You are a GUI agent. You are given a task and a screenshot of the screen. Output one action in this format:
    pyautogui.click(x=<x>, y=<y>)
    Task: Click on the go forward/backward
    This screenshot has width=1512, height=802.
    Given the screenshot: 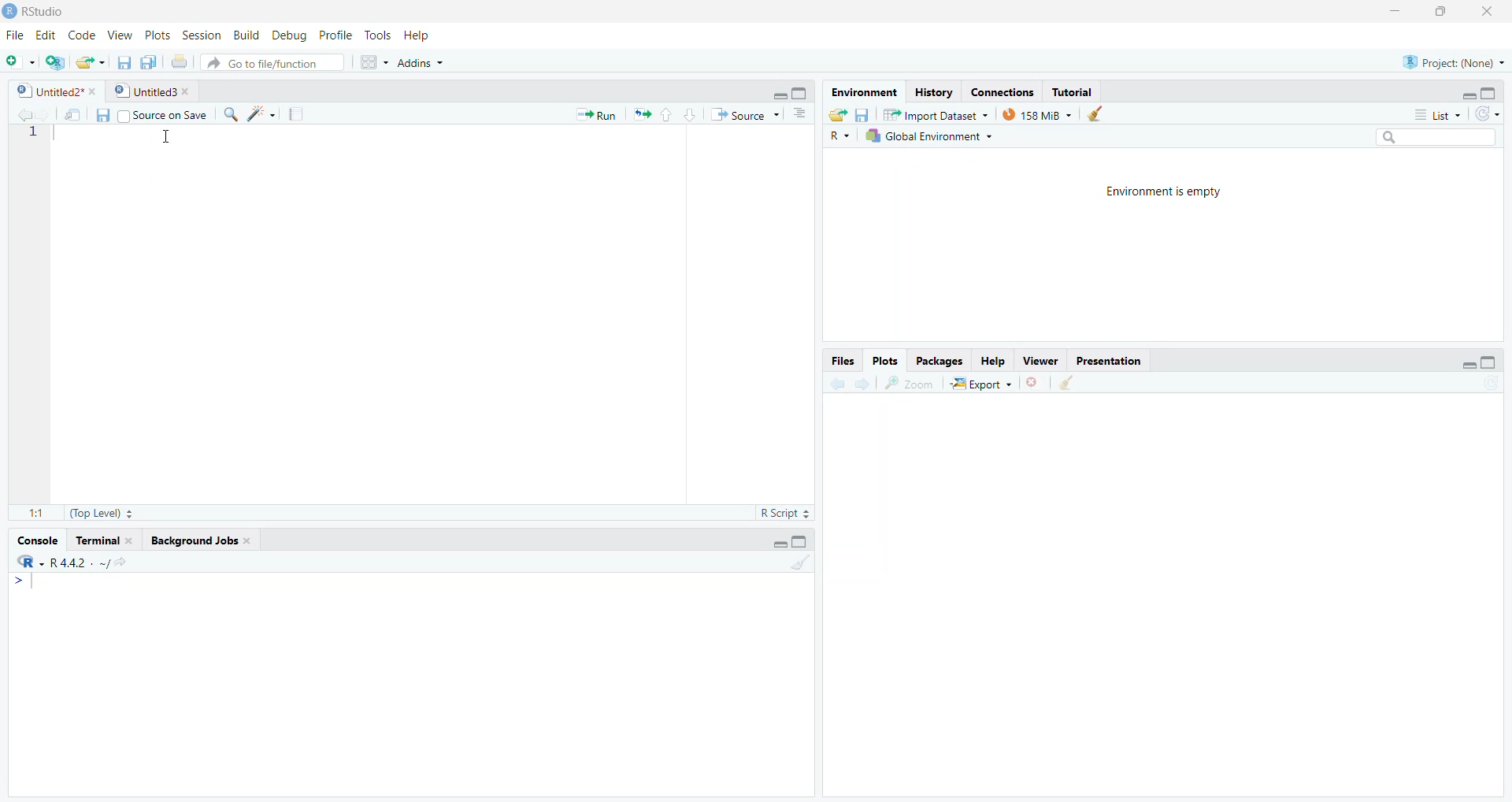 What is the action you would take?
    pyautogui.click(x=20, y=112)
    